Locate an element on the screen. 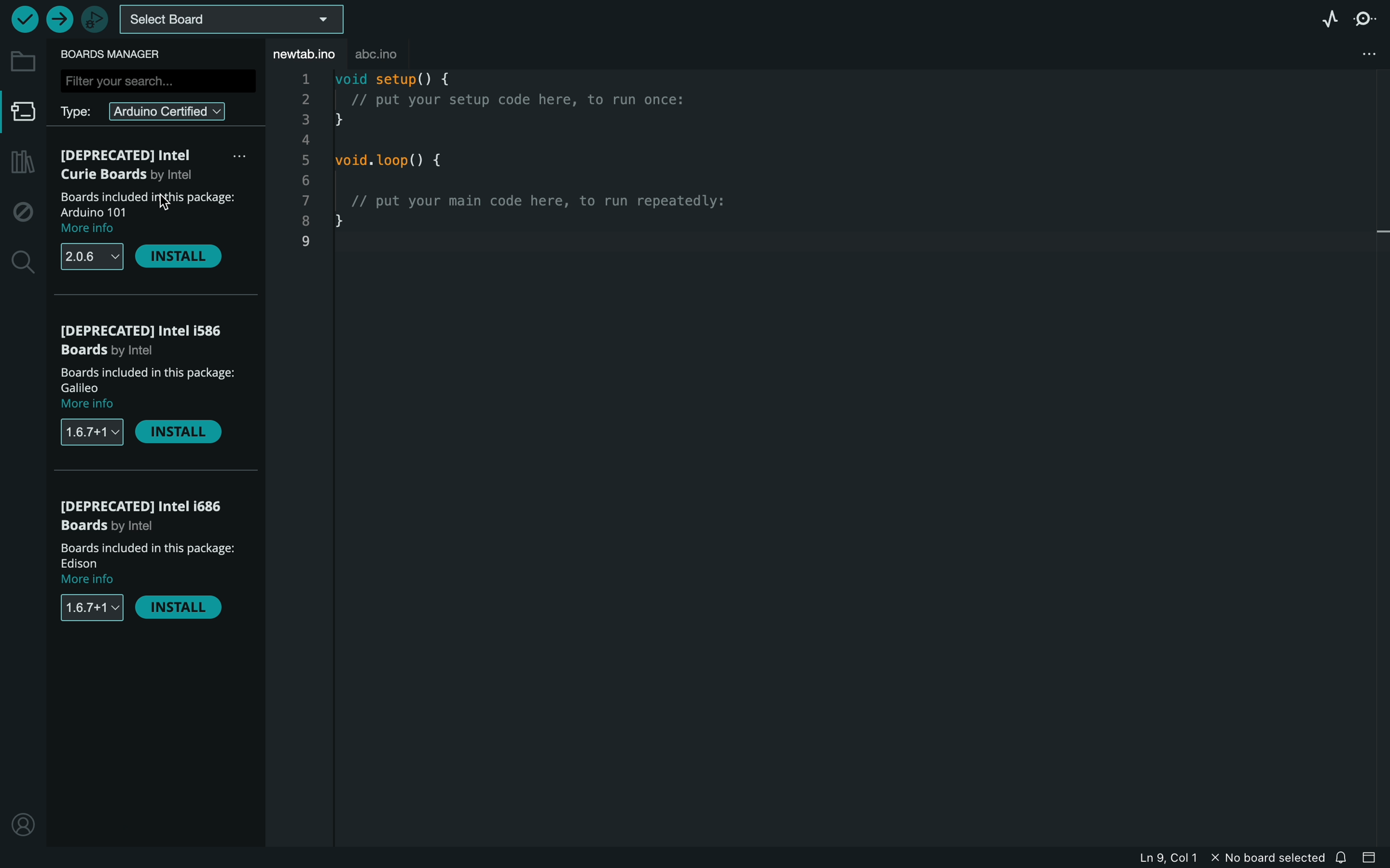  intel boards is located at coordinates (145, 338).